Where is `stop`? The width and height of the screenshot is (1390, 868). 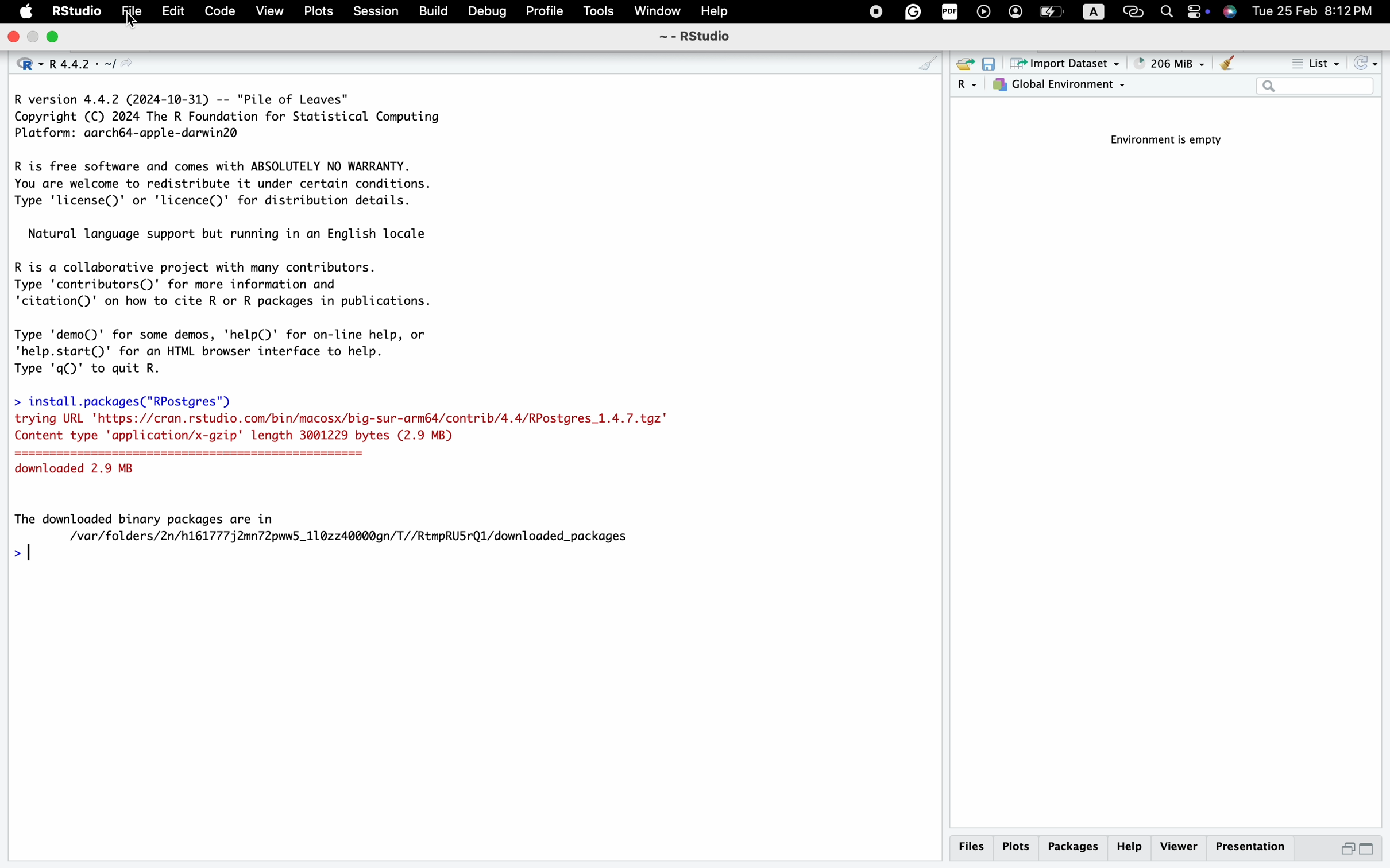 stop is located at coordinates (872, 11).